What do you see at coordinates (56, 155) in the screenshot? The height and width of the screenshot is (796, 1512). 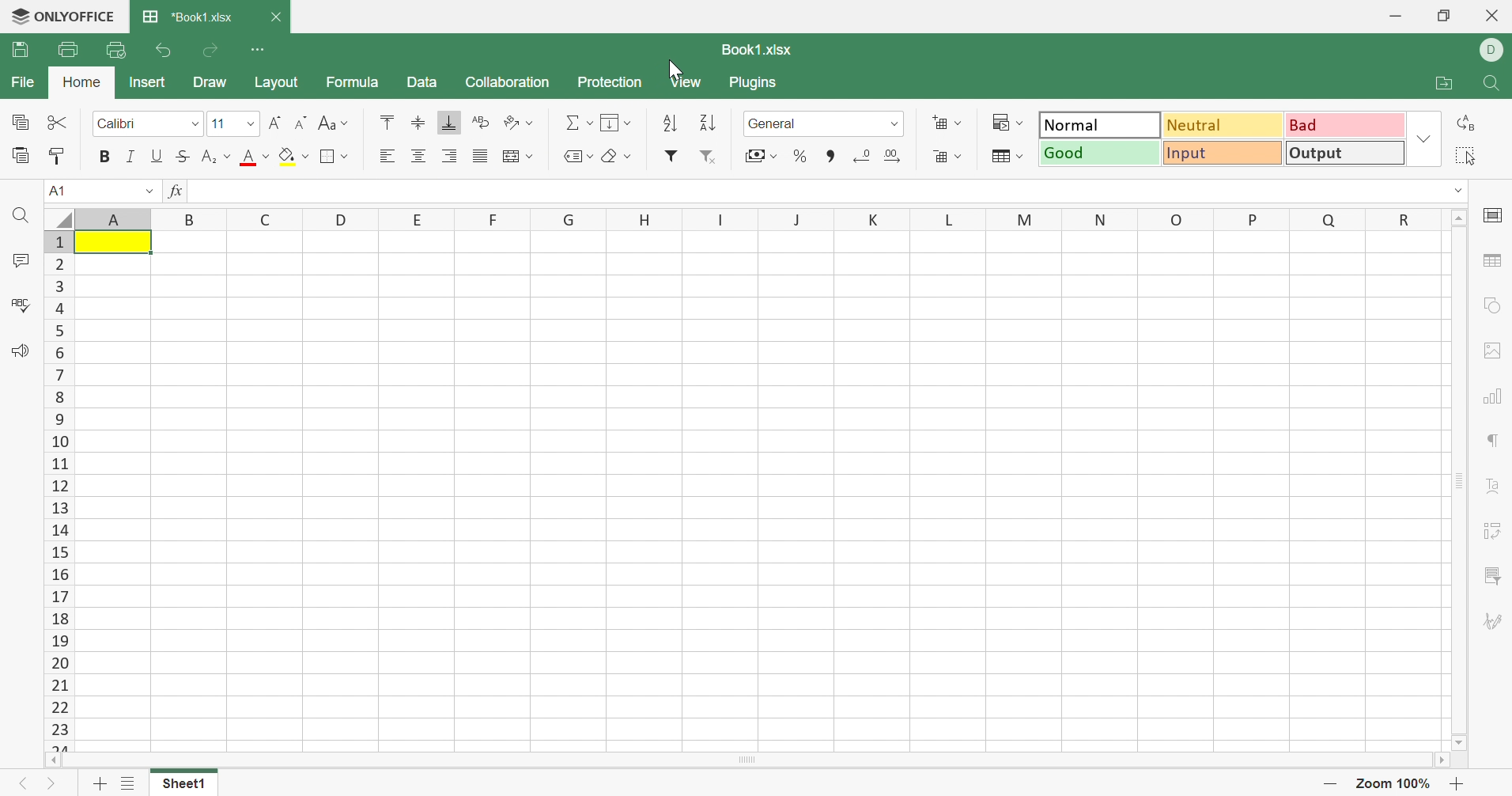 I see `Copy Style` at bounding box center [56, 155].